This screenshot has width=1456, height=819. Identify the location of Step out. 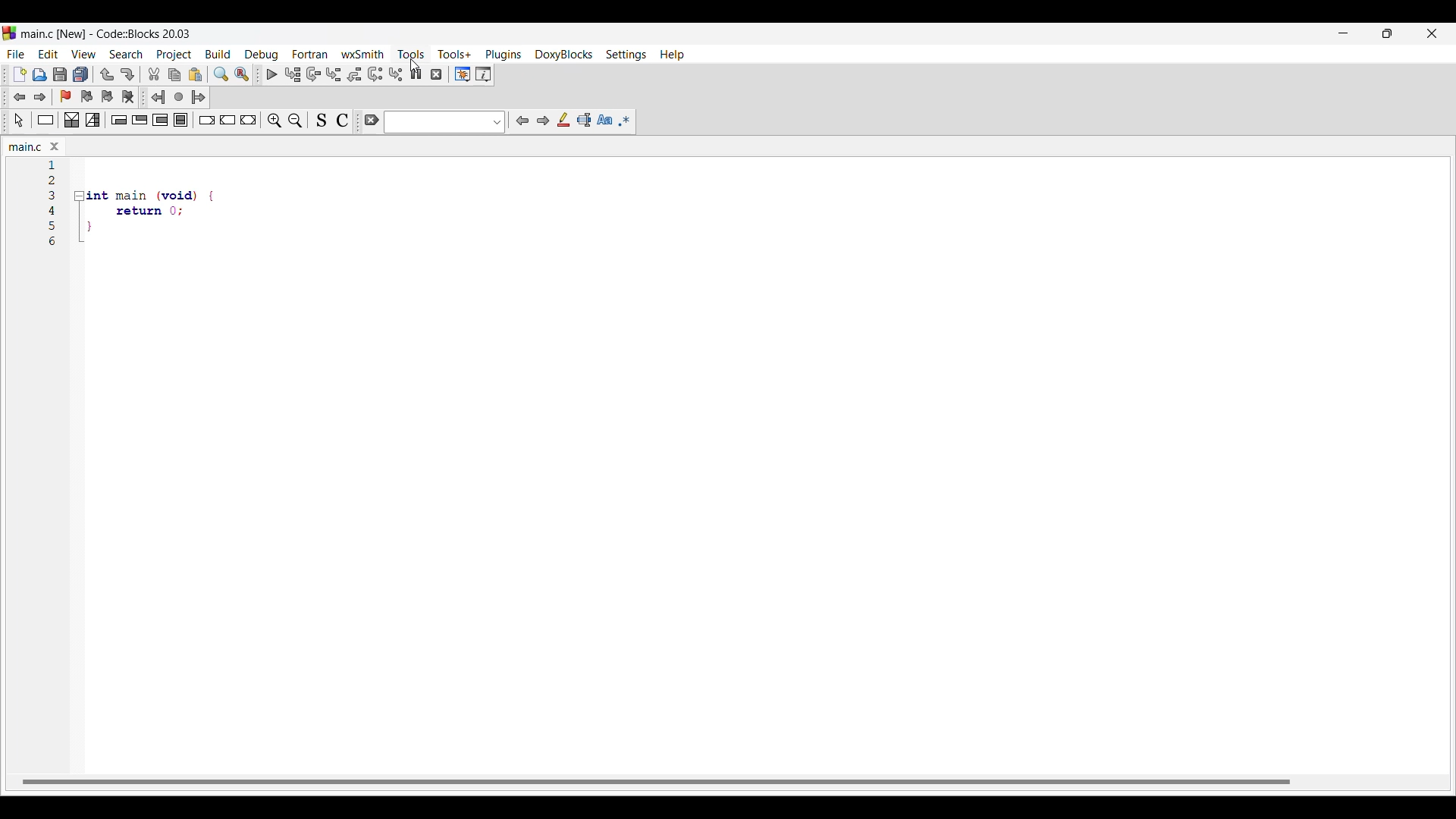
(354, 74).